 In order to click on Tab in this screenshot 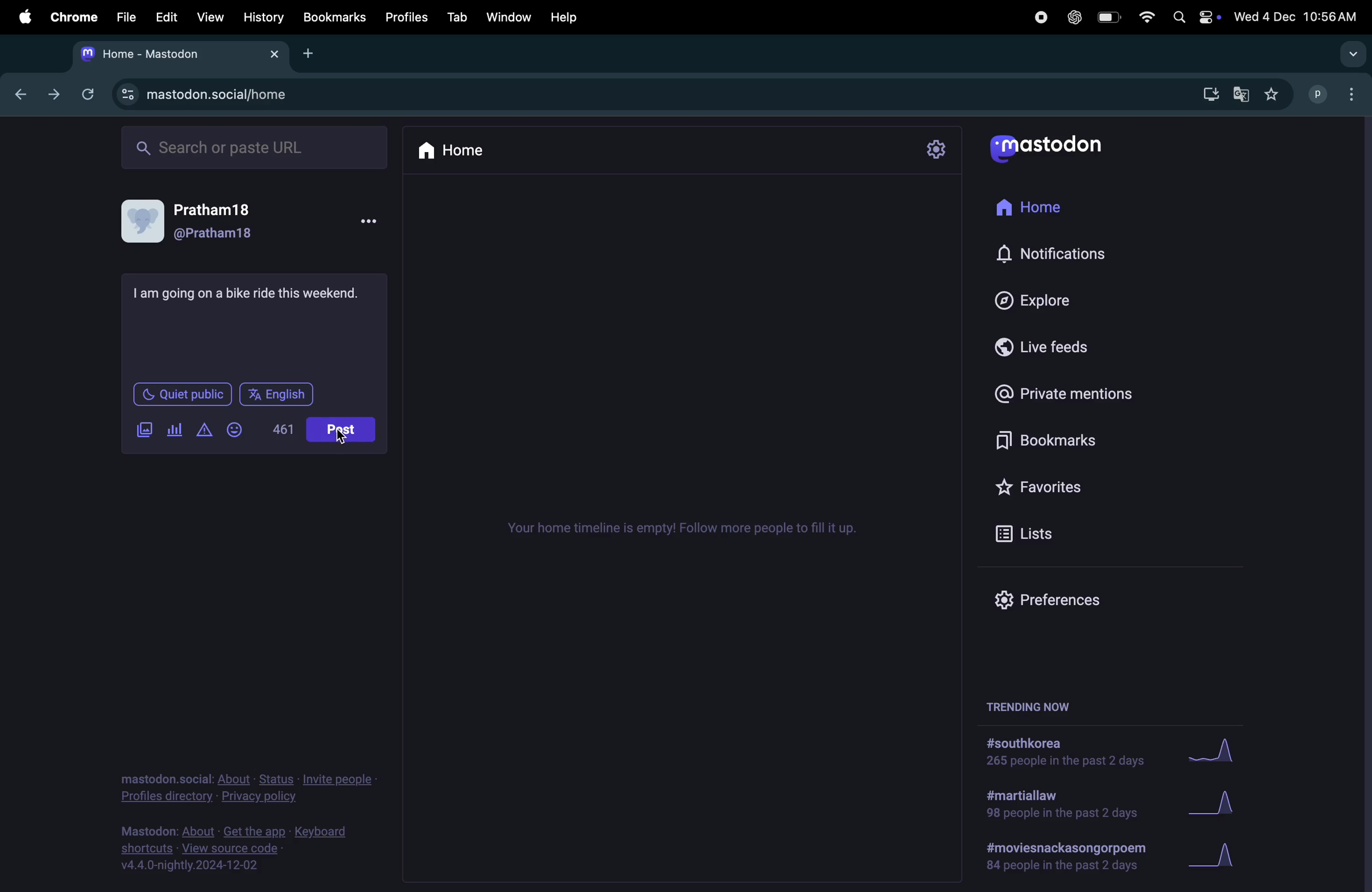, I will do `click(457, 17)`.